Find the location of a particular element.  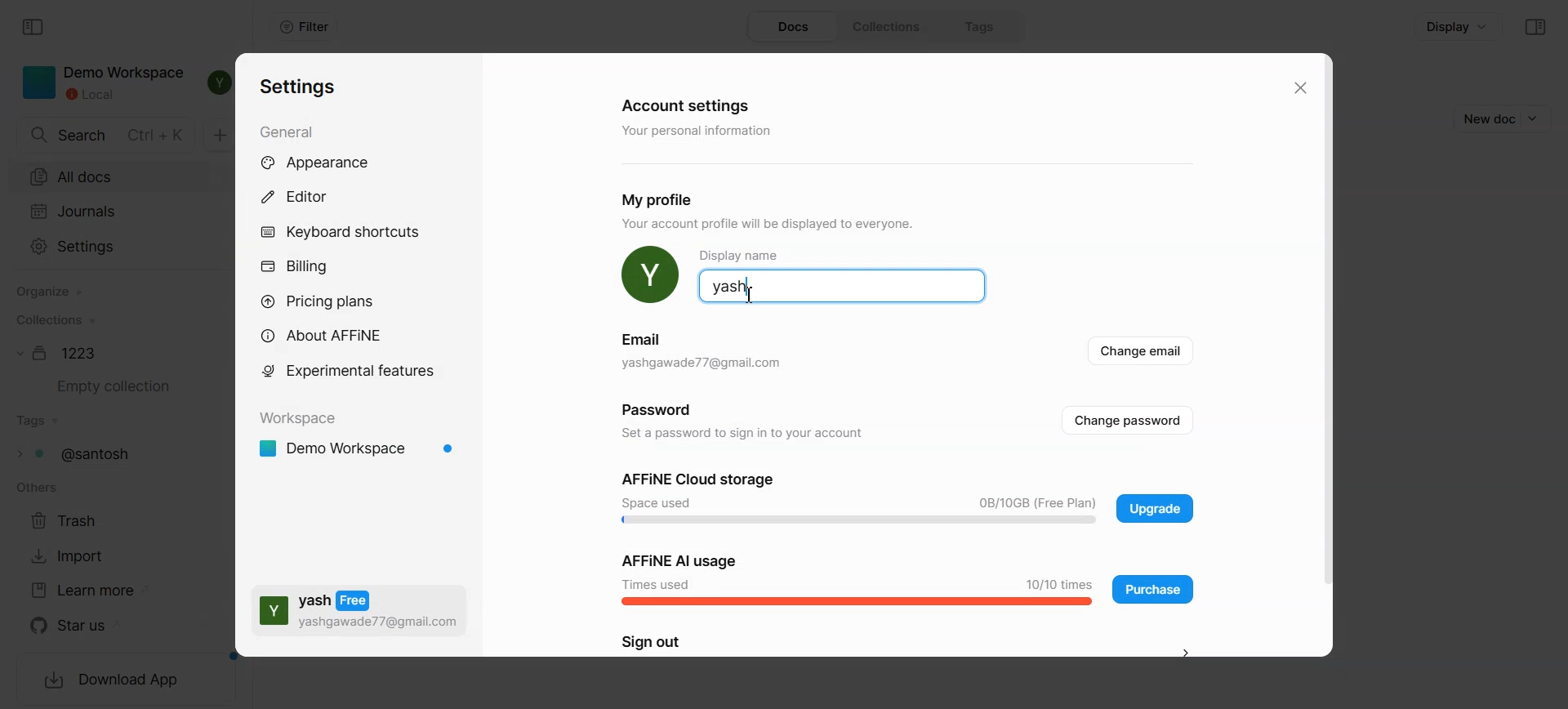

YOUr account proftie will be displayed 1o everyone. is located at coordinates (777, 225).